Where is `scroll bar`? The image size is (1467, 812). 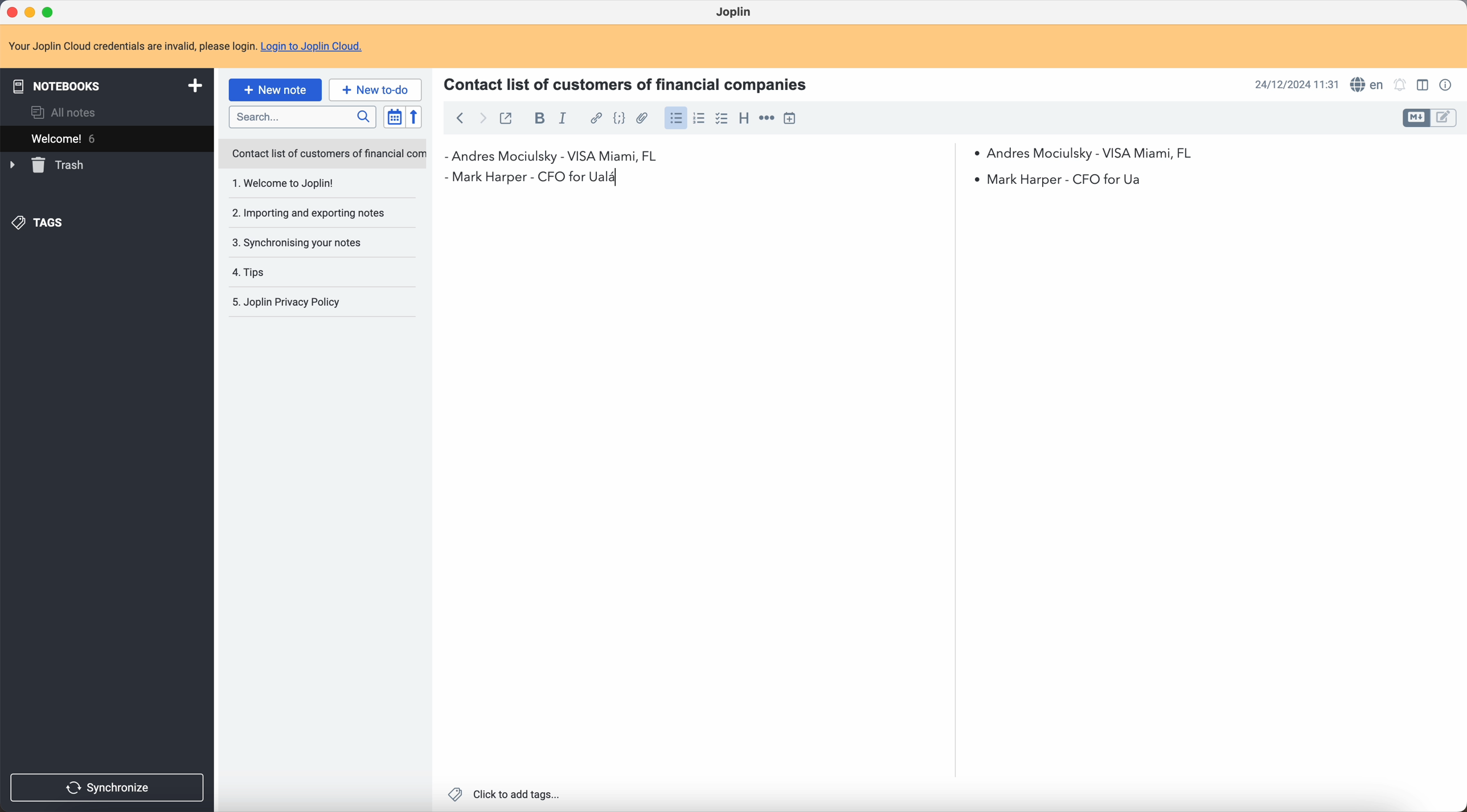 scroll bar is located at coordinates (949, 253).